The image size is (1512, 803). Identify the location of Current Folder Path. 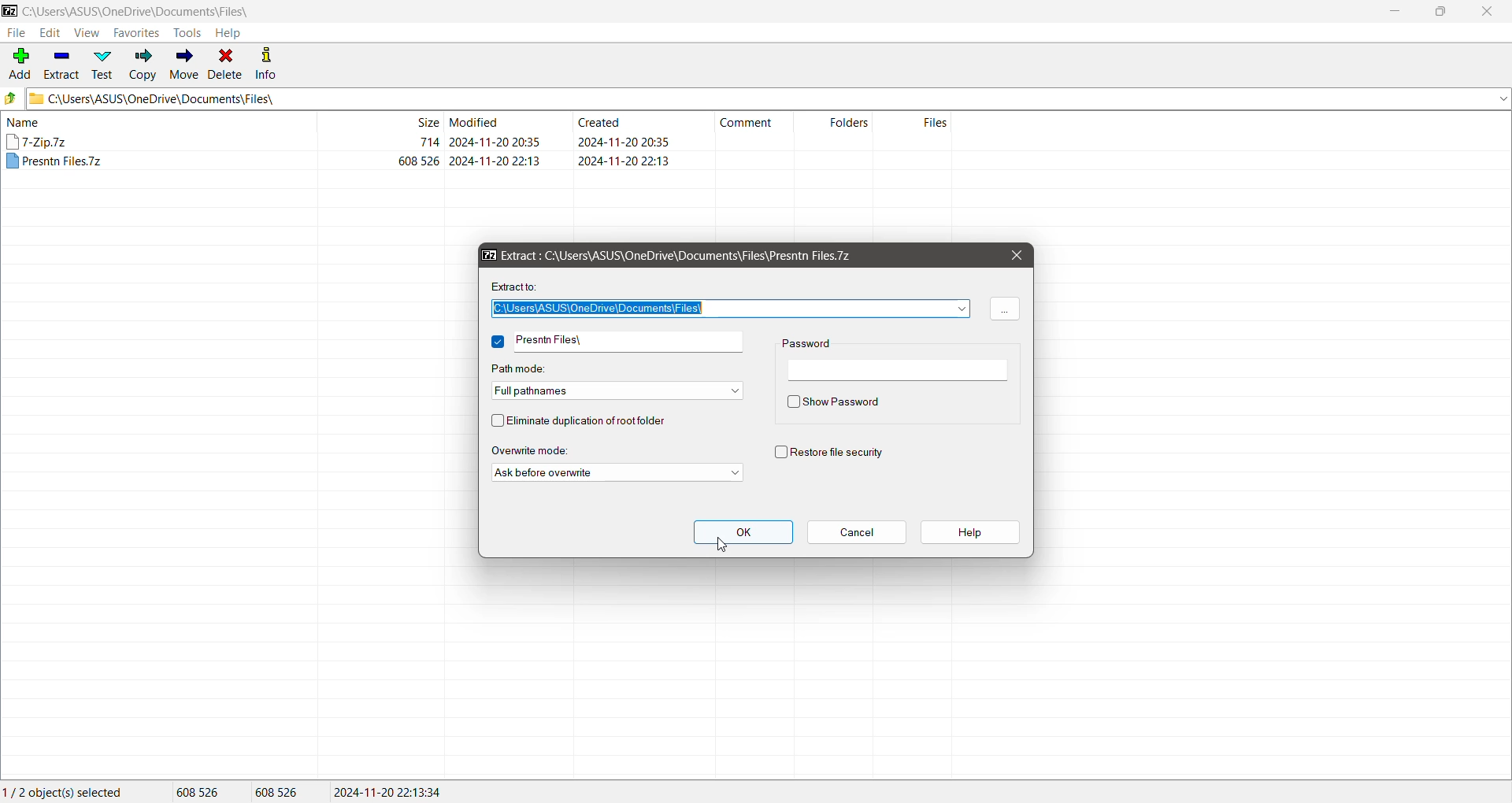
(769, 98).